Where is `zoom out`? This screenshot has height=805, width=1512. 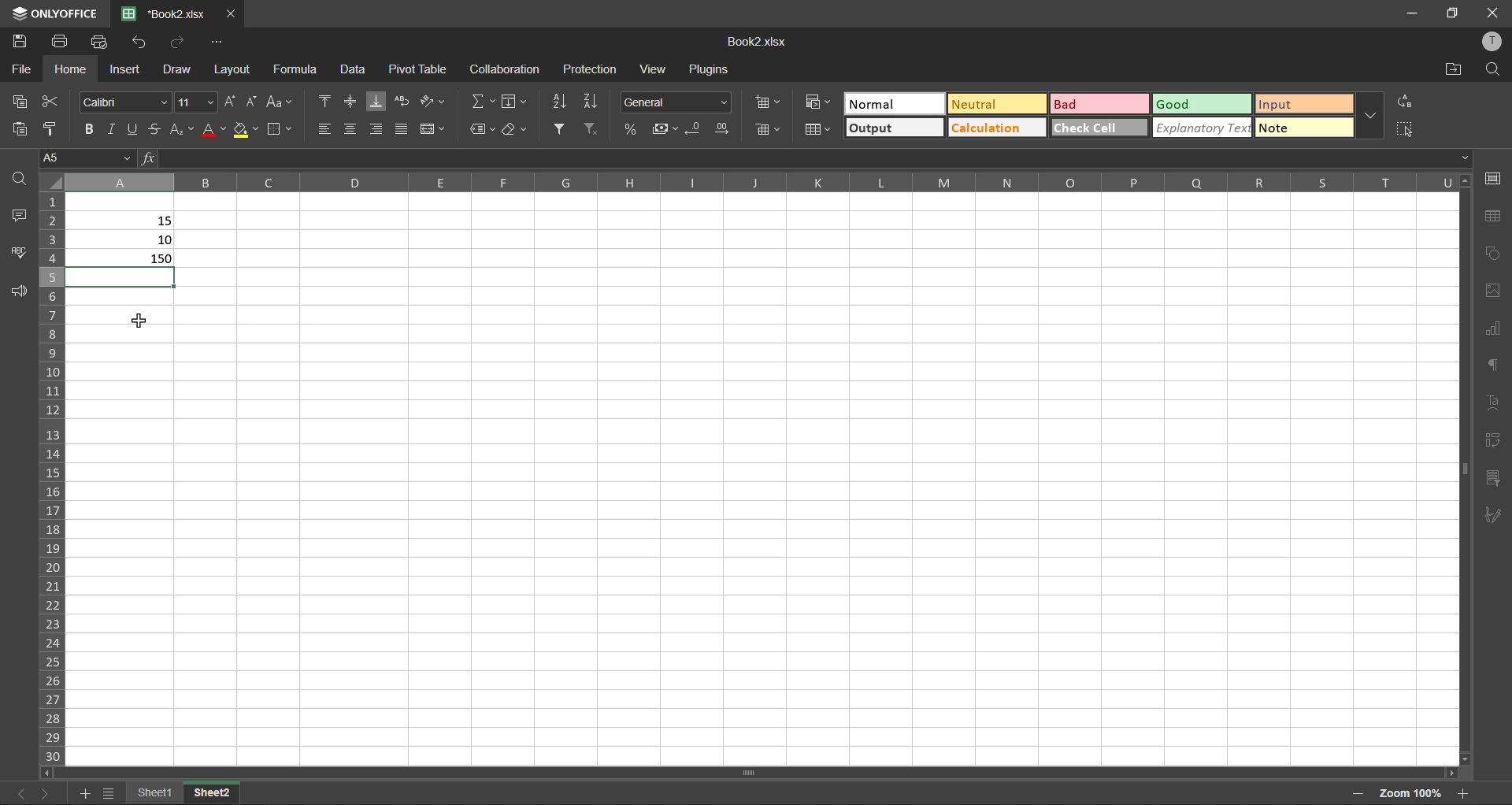 zoom out is located at coordinates (1358, 792).